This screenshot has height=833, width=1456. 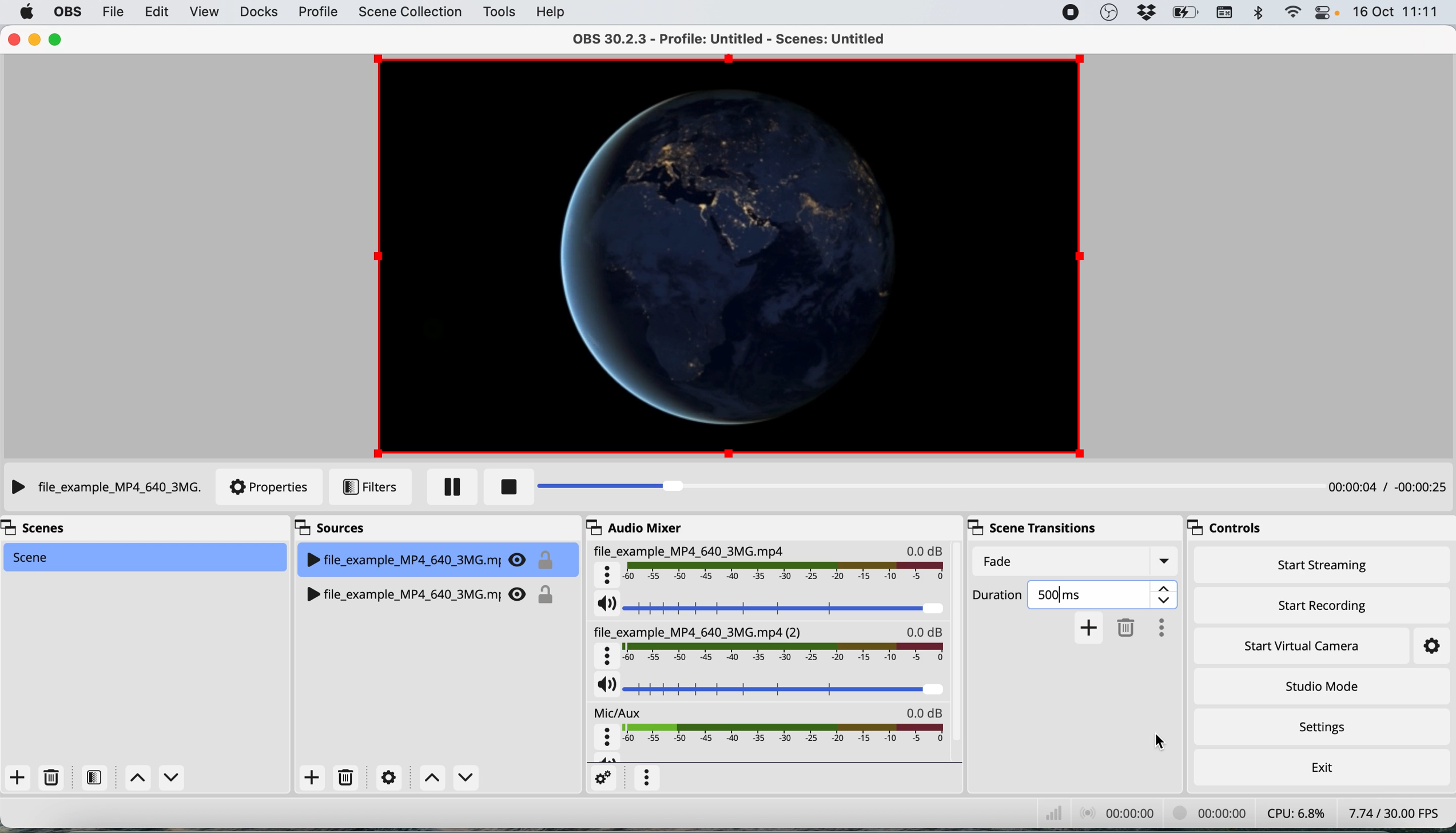 What do you see at coordinates (317, 14) in the screenshot?
I see `profile` at bounding box center [317, 14].